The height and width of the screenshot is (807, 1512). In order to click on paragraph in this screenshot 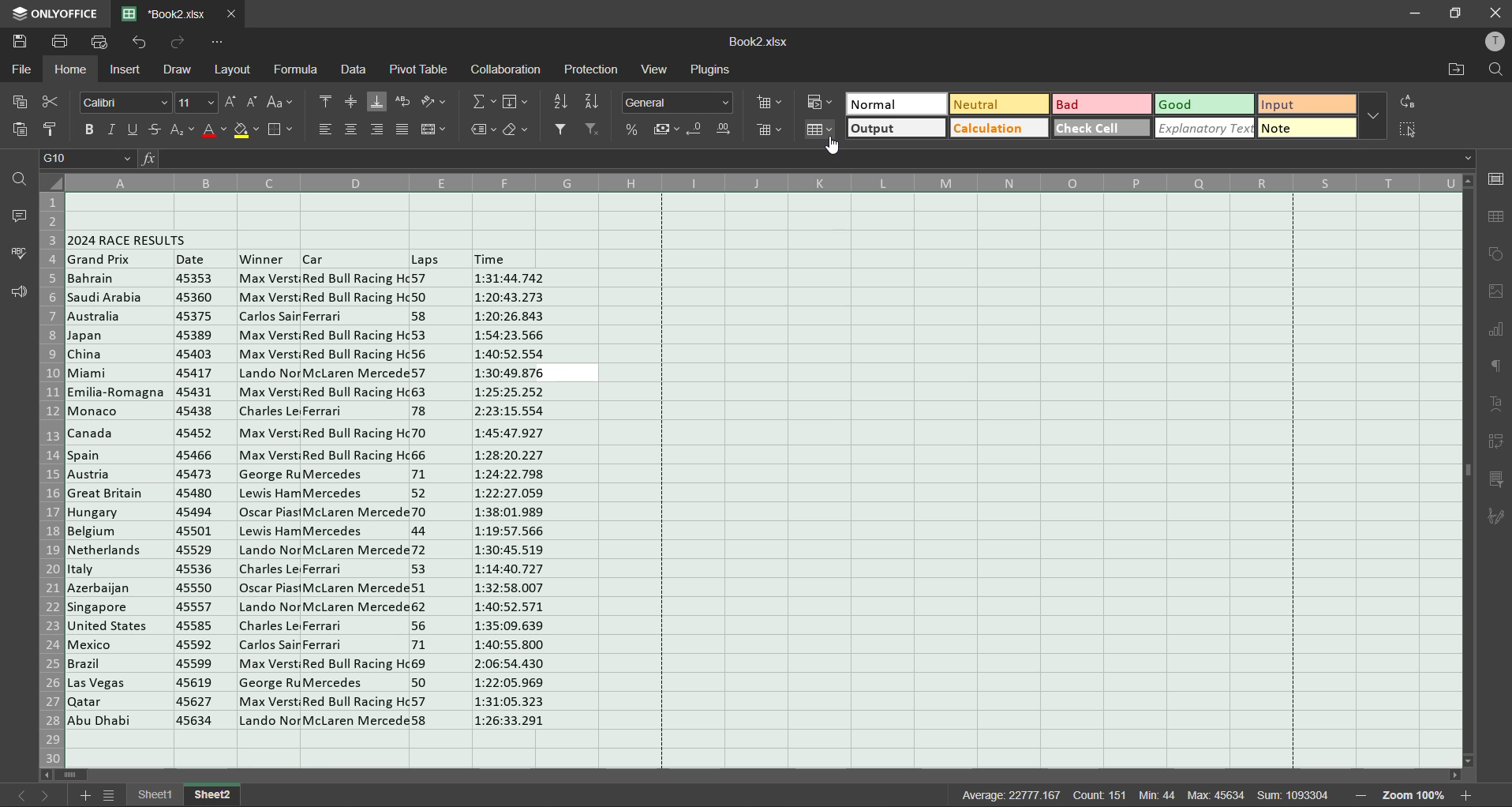, I will do `click(1494, 371)`.